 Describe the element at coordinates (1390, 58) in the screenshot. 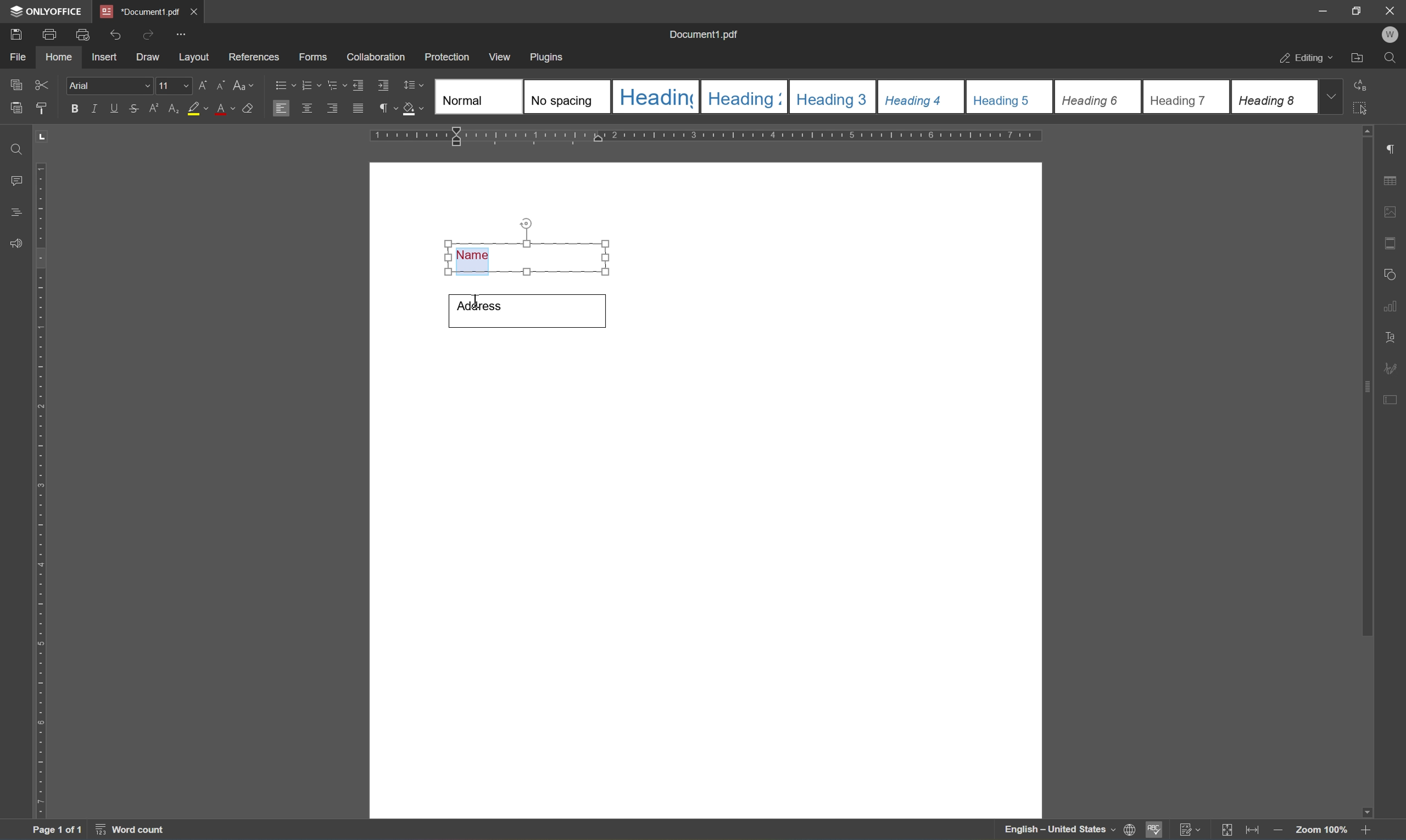

I see `find` at that location.